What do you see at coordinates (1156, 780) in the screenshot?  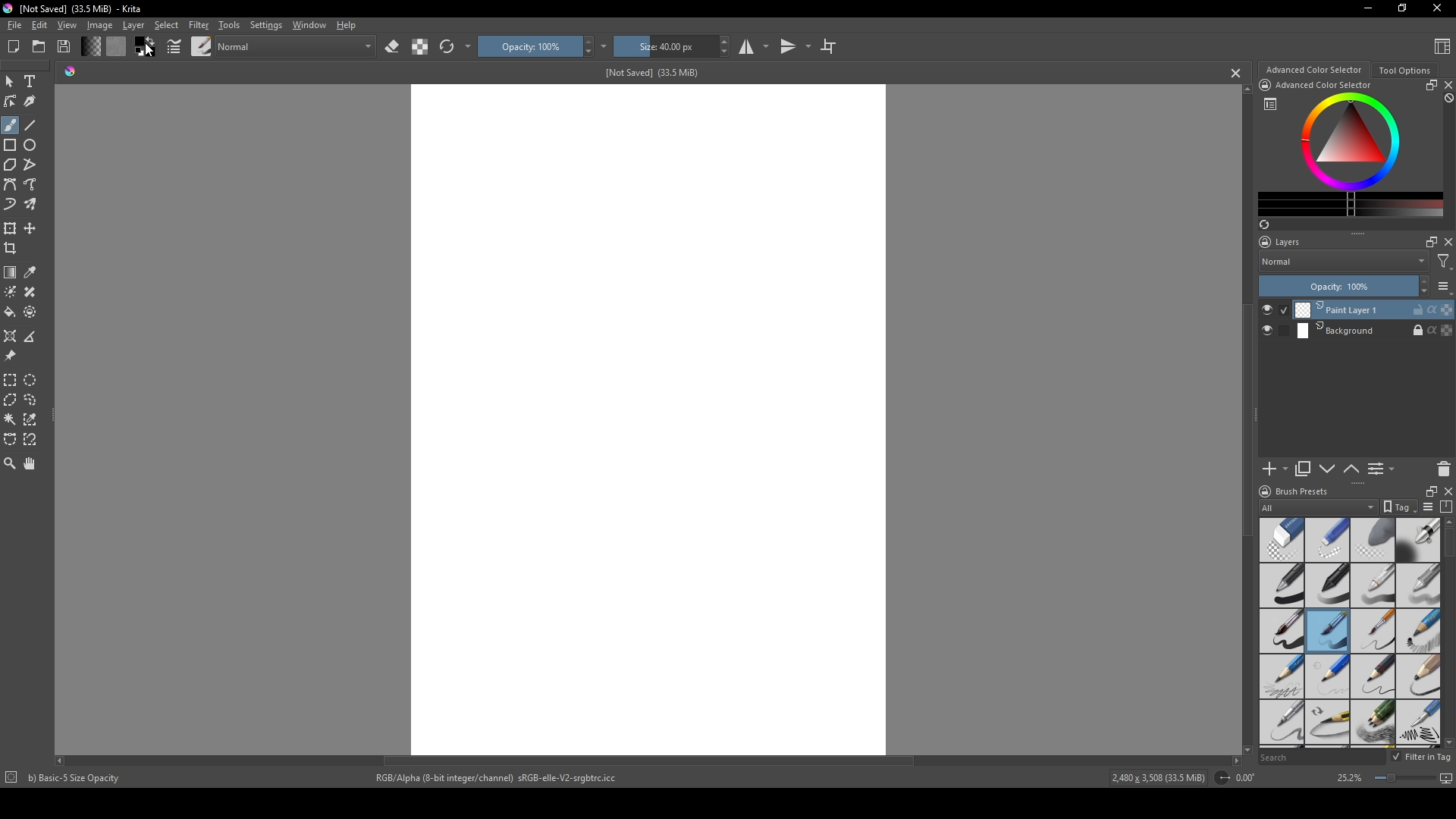 I see `2,480 x 3,508 (33.5 MiB)` at bounding box center [1156, 780].